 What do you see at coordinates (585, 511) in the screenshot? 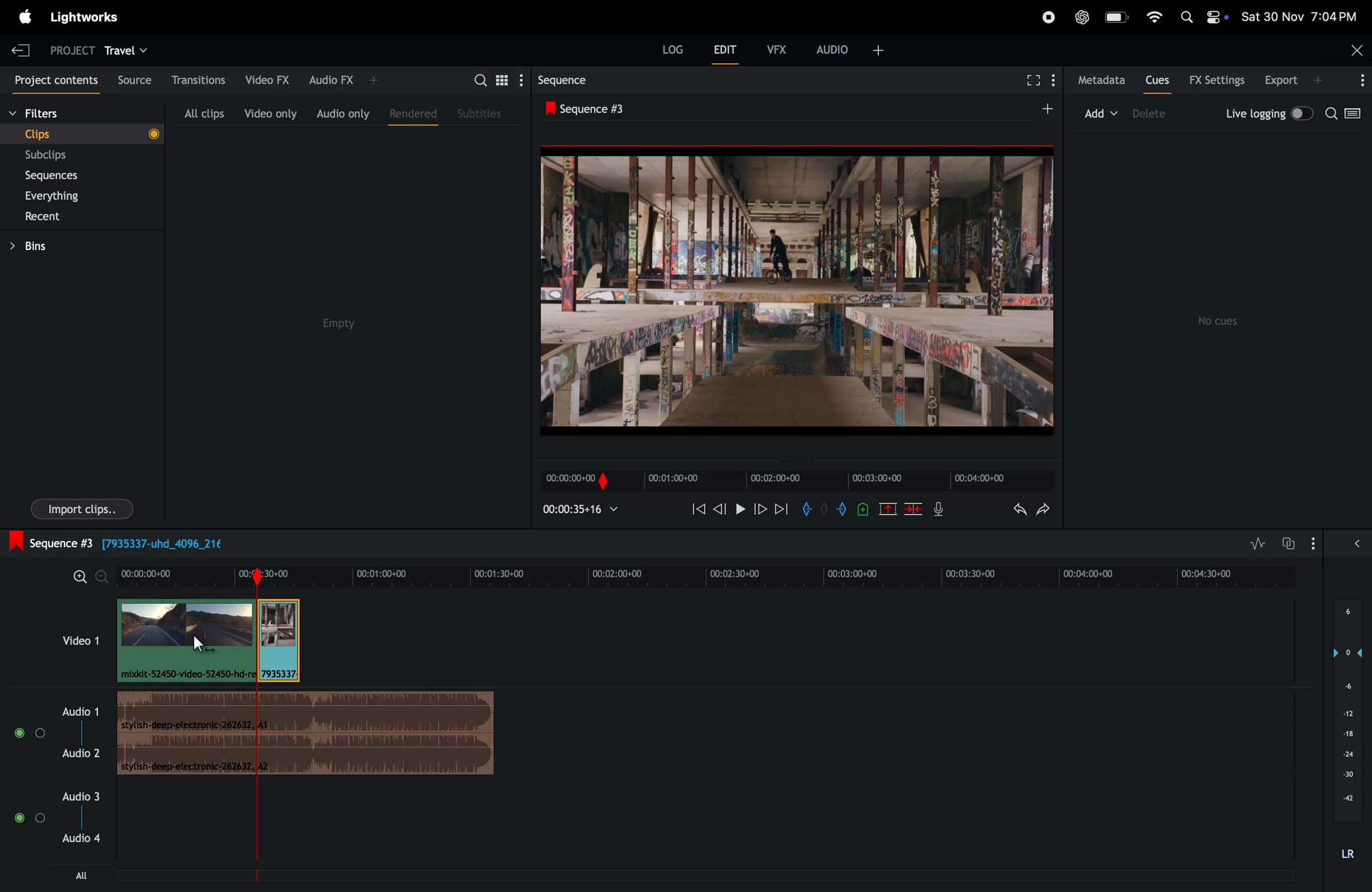
I see `playback time` at bounding box center [585, 511].